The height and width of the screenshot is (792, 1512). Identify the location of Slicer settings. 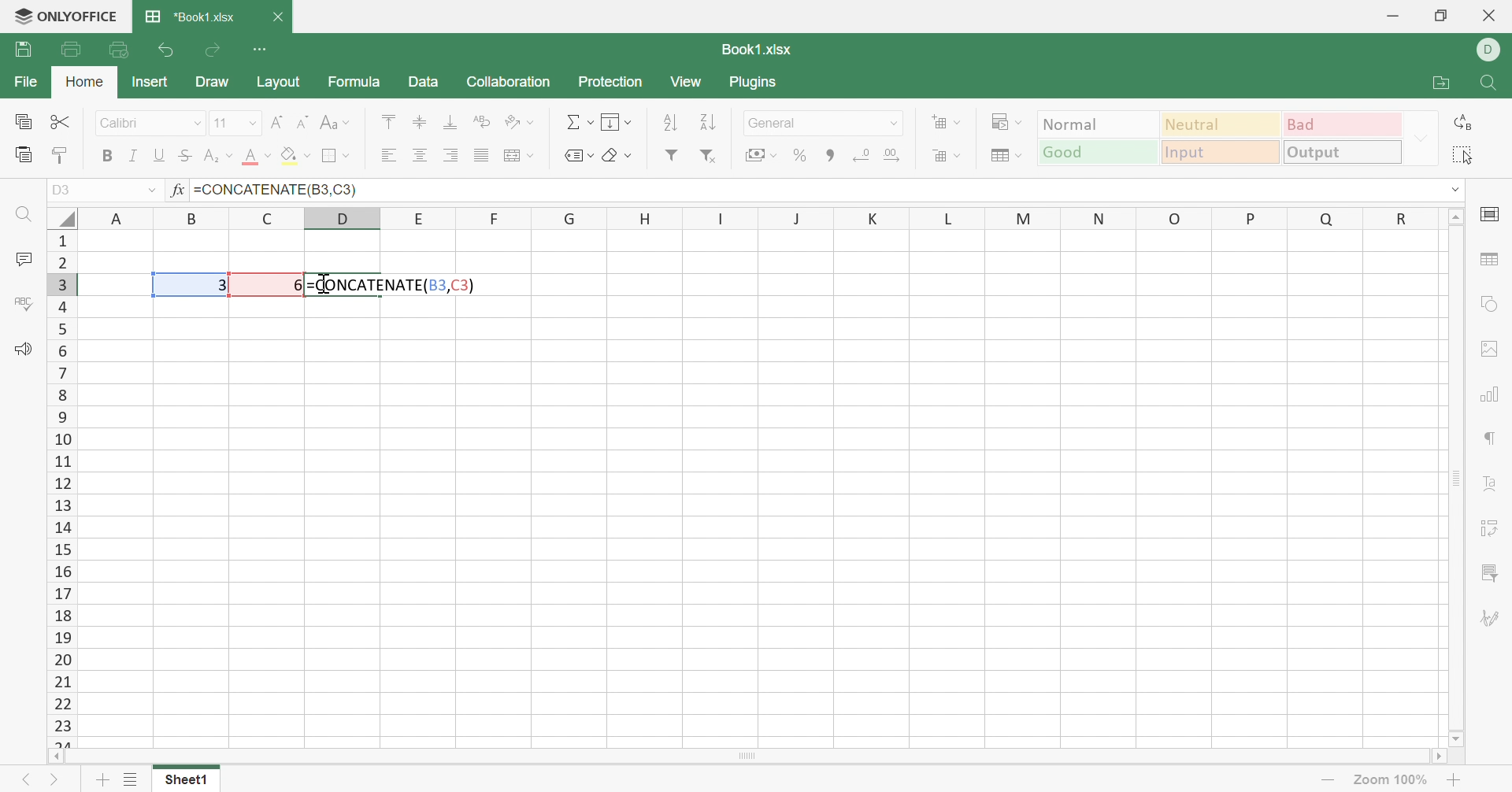
(1492, 573).